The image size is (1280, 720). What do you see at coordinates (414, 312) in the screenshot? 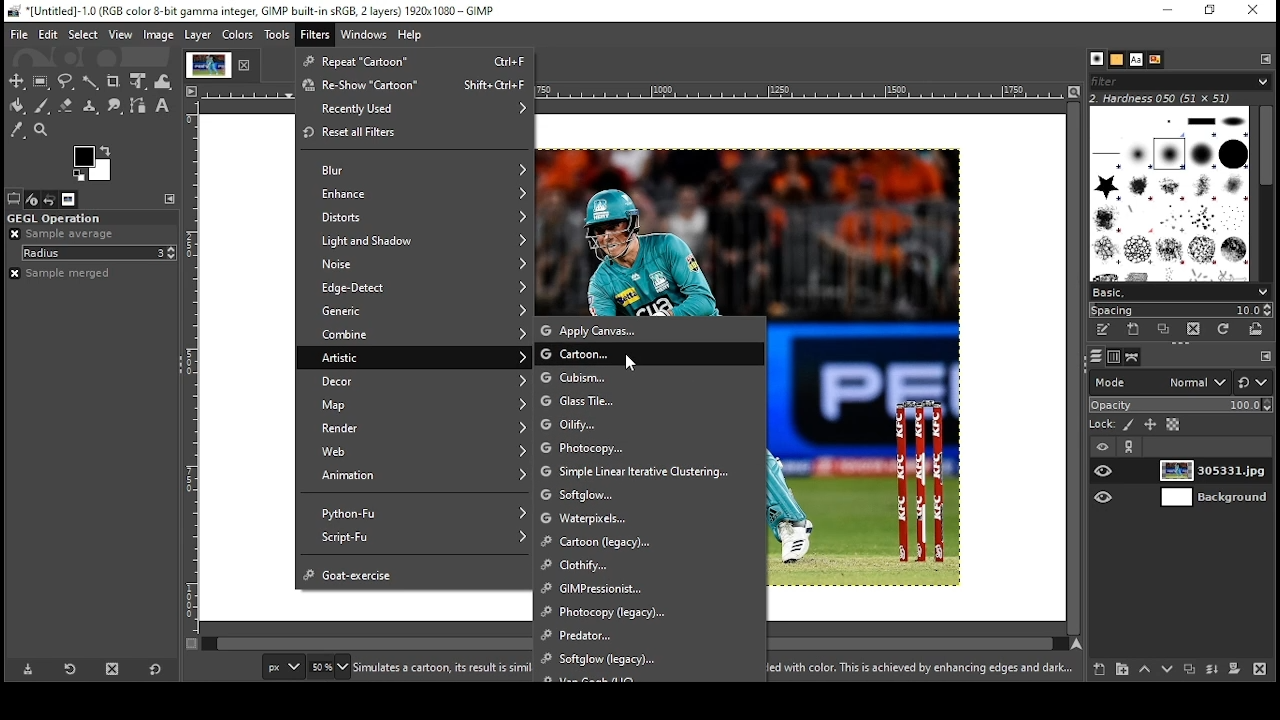
I see `generic` at bounding box center [414, 312].